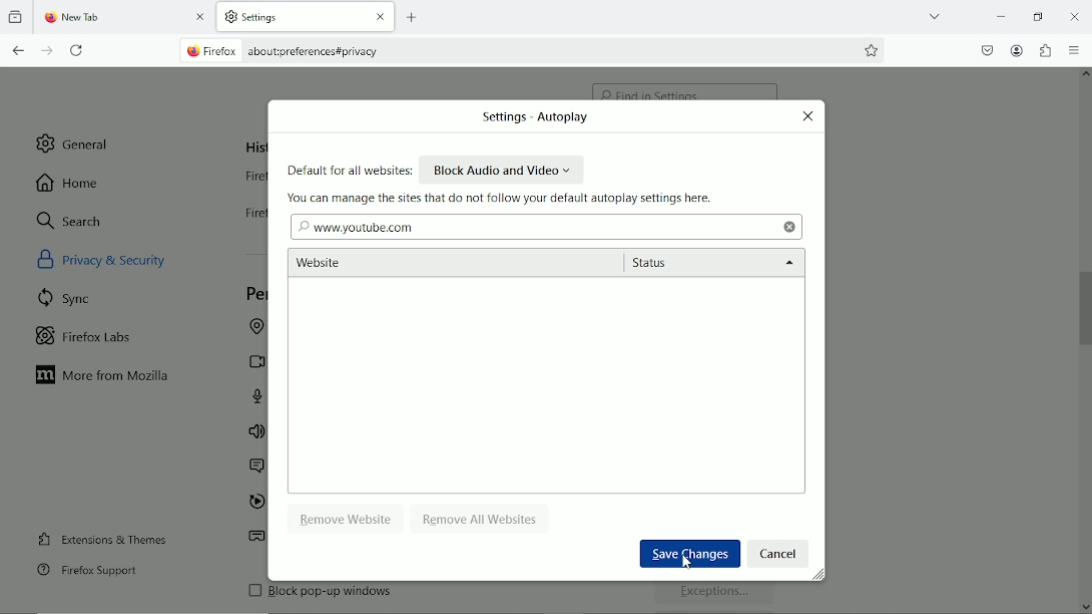  I want to click on close, so click(808, 116).